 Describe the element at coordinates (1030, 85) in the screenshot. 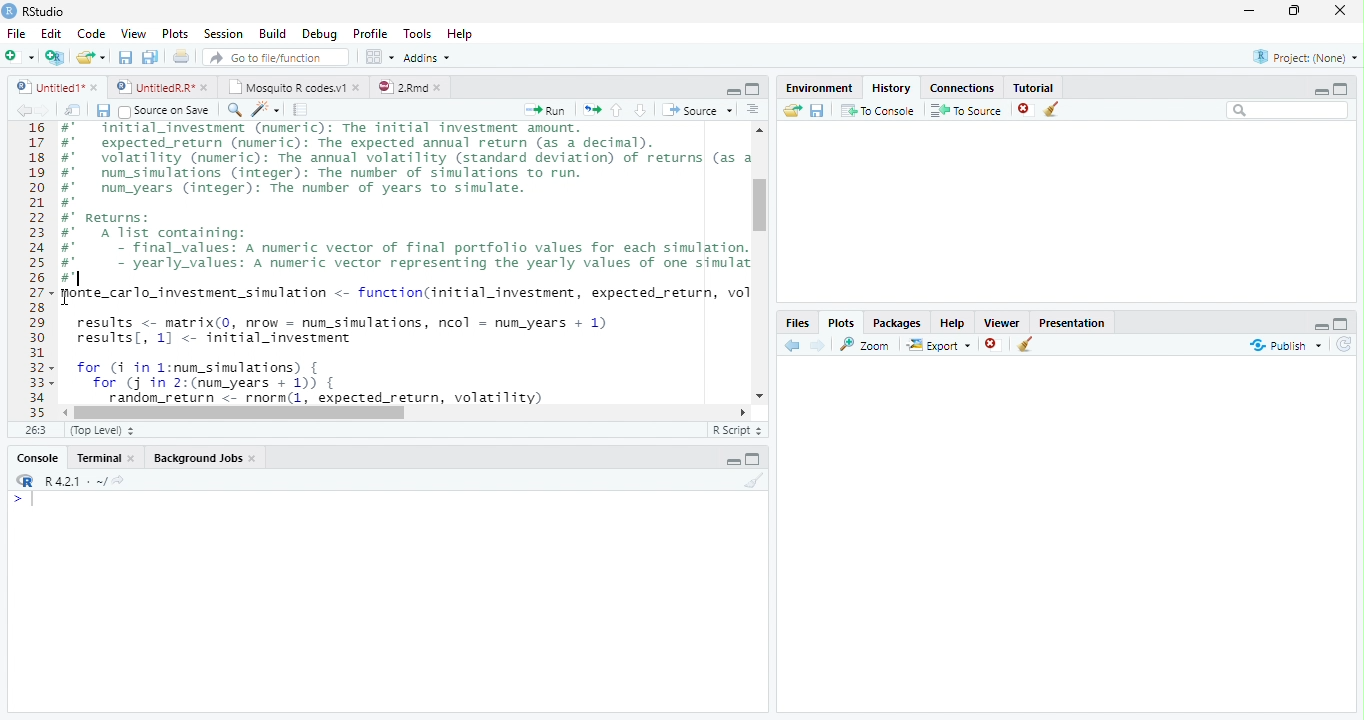

I see `Tutorial` at that location.